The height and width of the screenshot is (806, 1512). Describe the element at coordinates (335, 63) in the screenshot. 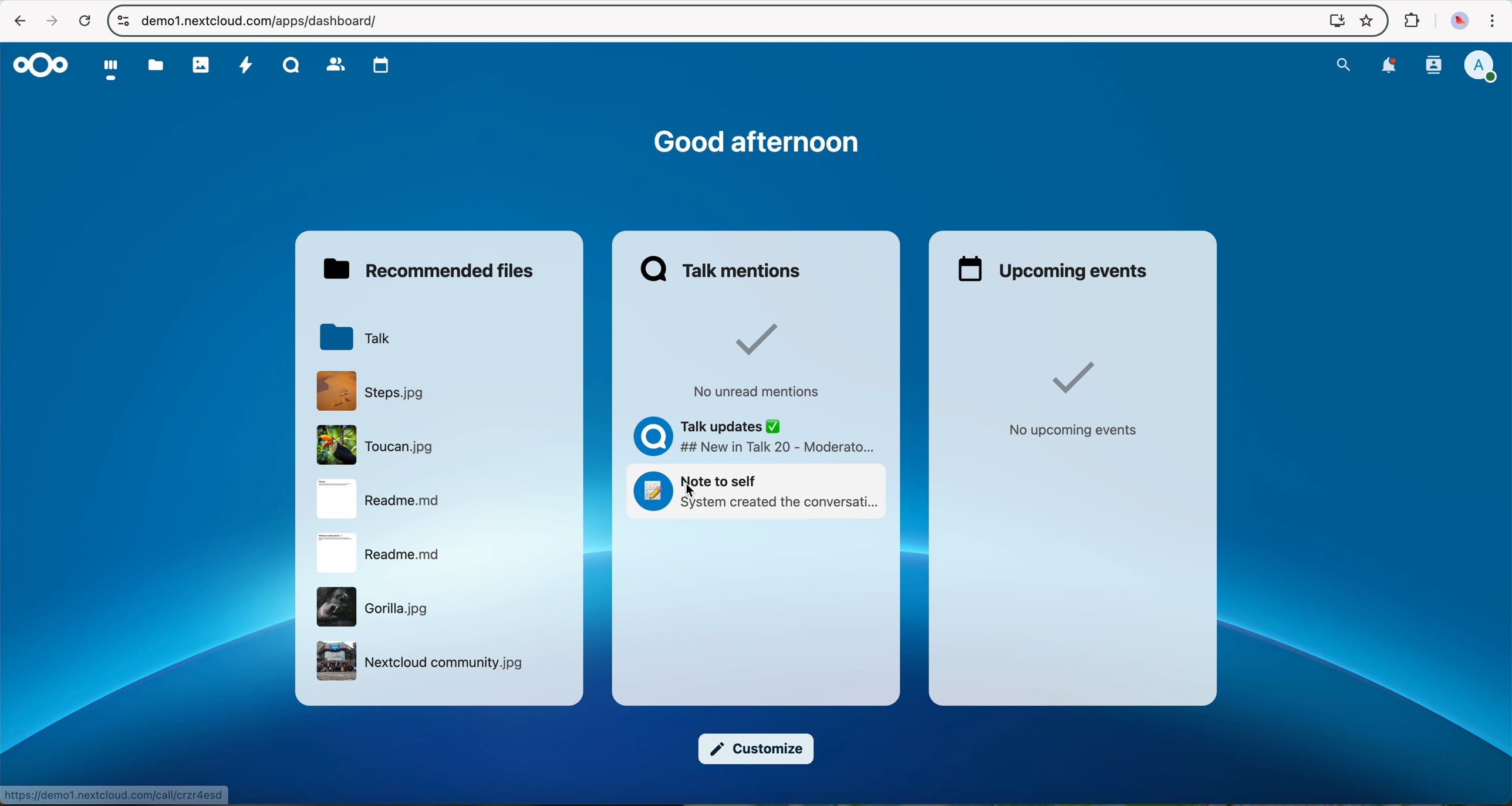

I see `contacts` at that location.